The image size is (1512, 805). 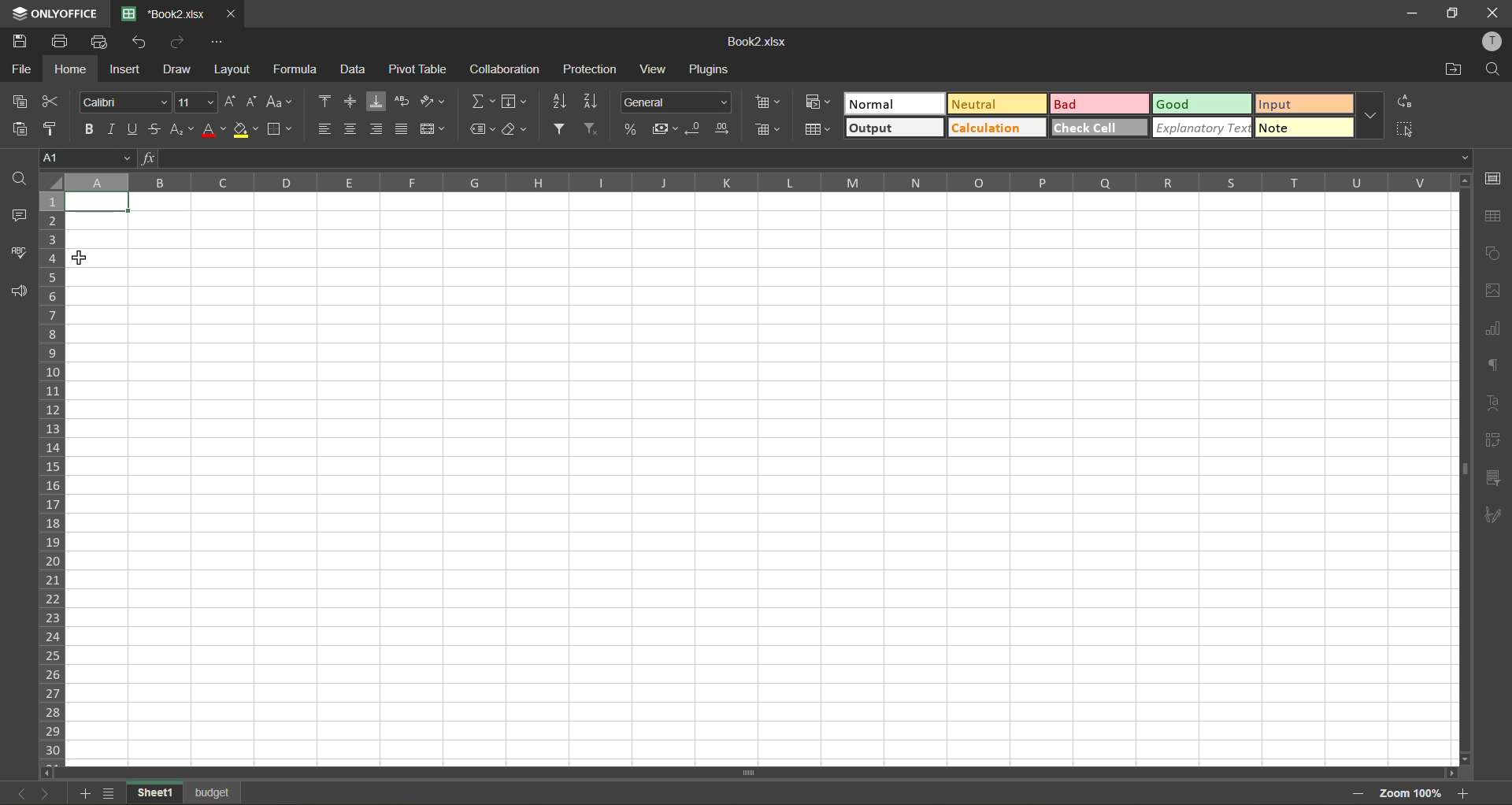 What do you see at coordinates (1408, 793) in the screenshot?
I see `zoom factor` at bounding box center [1408, 793].